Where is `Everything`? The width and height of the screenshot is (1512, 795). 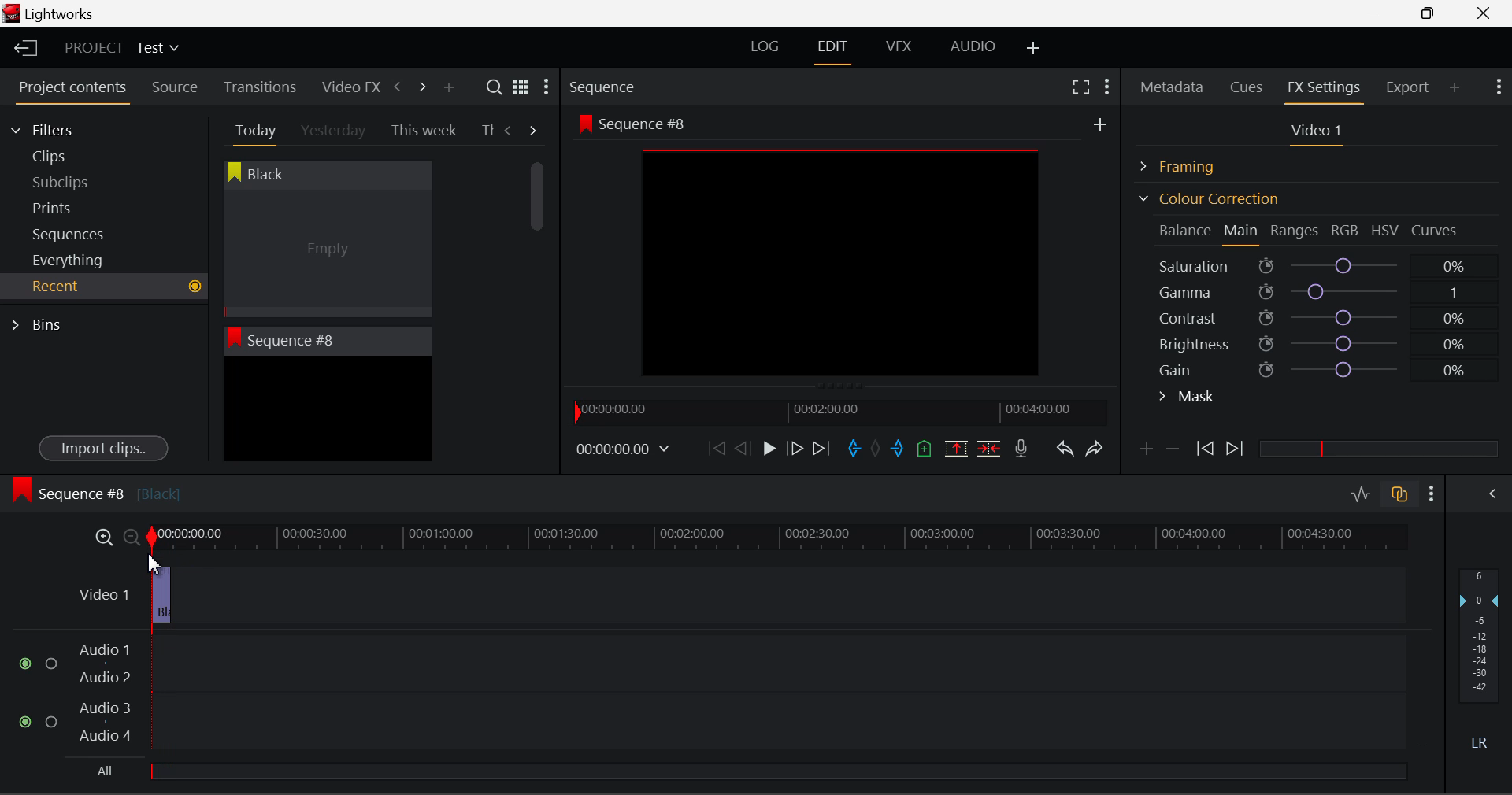 Everything is located at coordinates (70, 260).